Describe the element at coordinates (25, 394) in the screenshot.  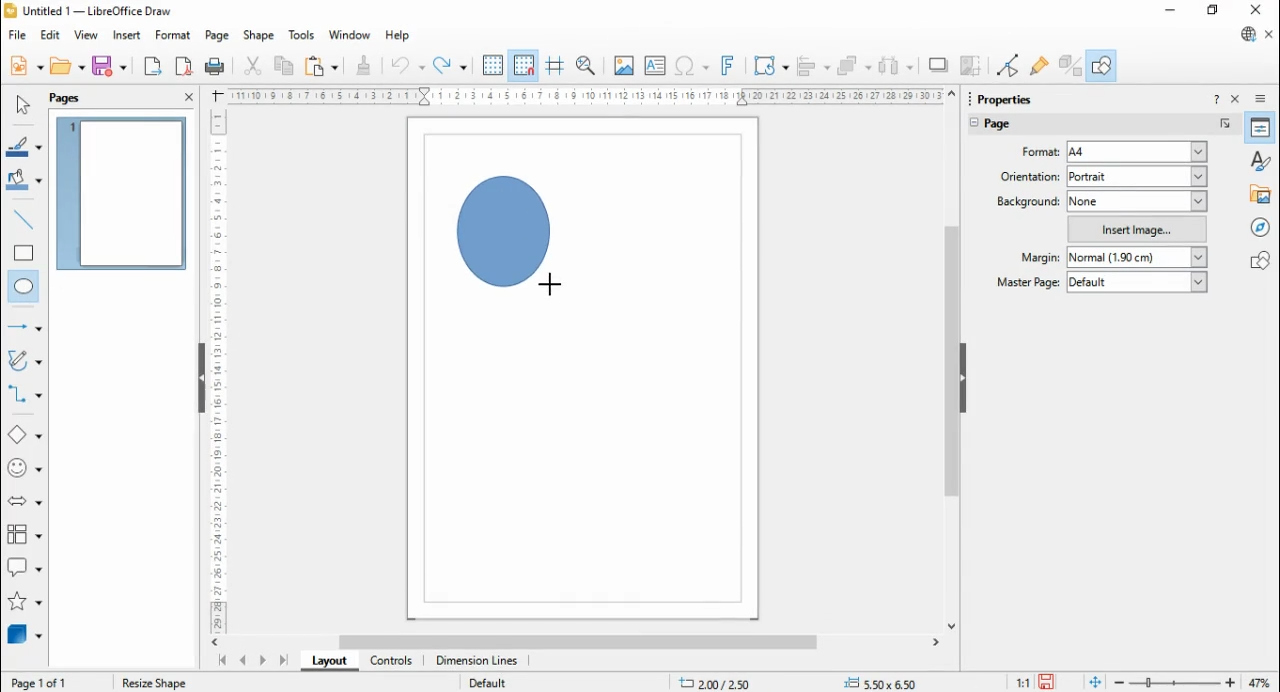
I see `connectors` at that location.